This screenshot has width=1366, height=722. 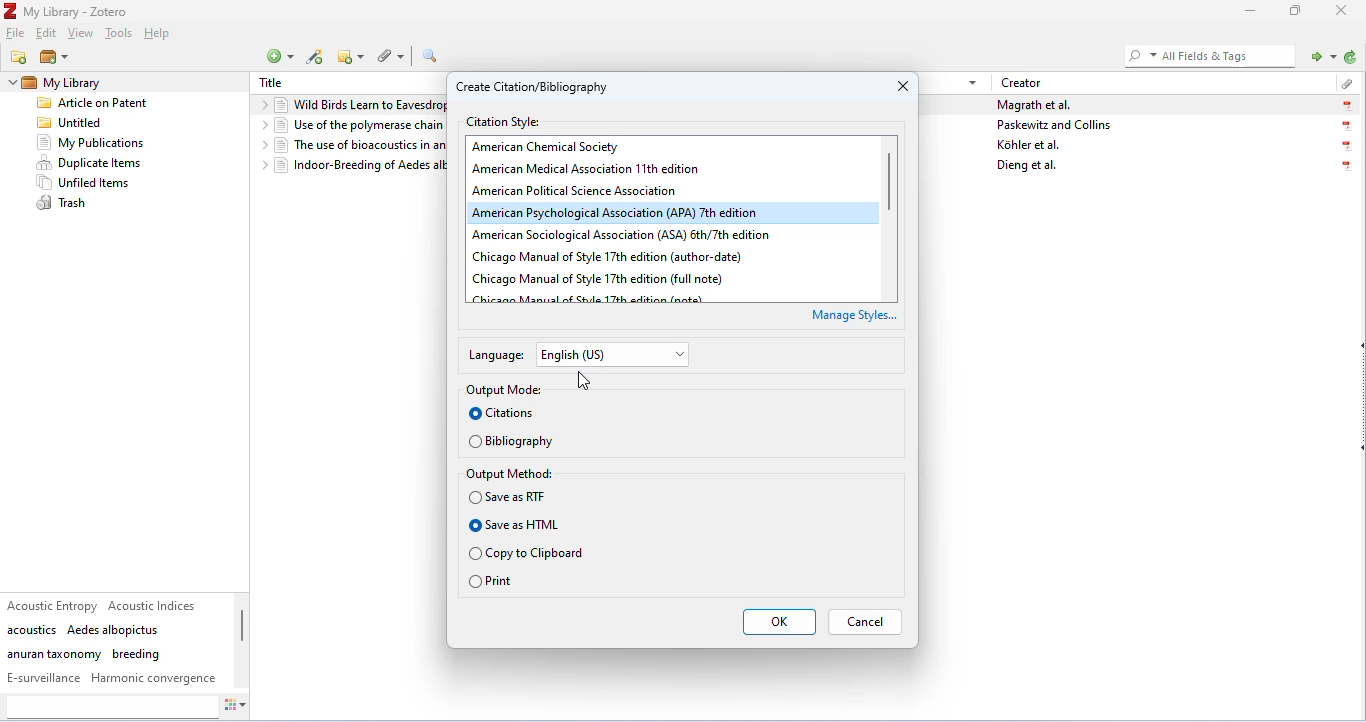 What do you see at coordinates (1036, 104) in the screenshot?
I see `magrath et al.` at bounding box center [1036, 104].